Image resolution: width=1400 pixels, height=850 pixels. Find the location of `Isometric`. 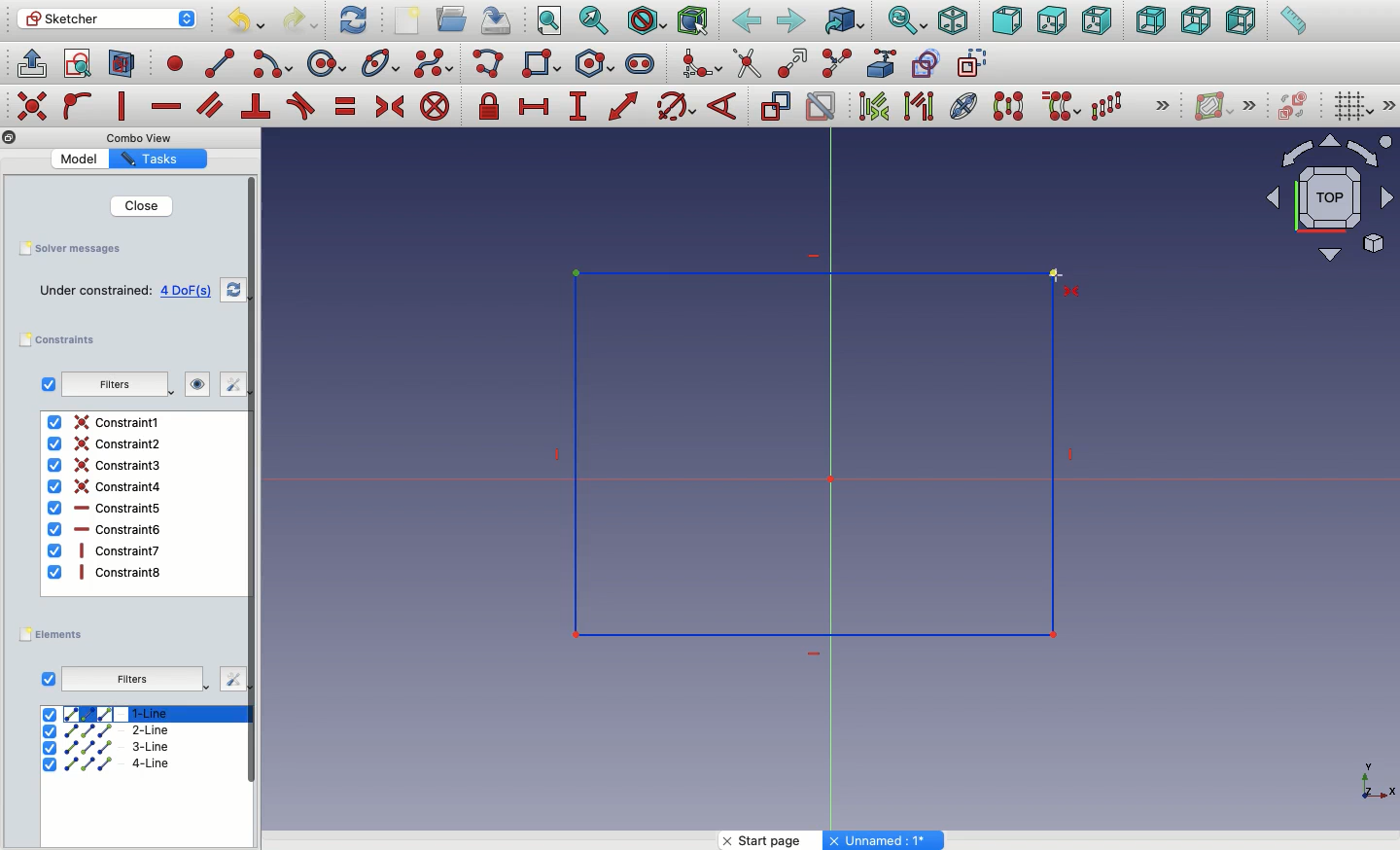

Isometric is located at coordinates (952, 22).